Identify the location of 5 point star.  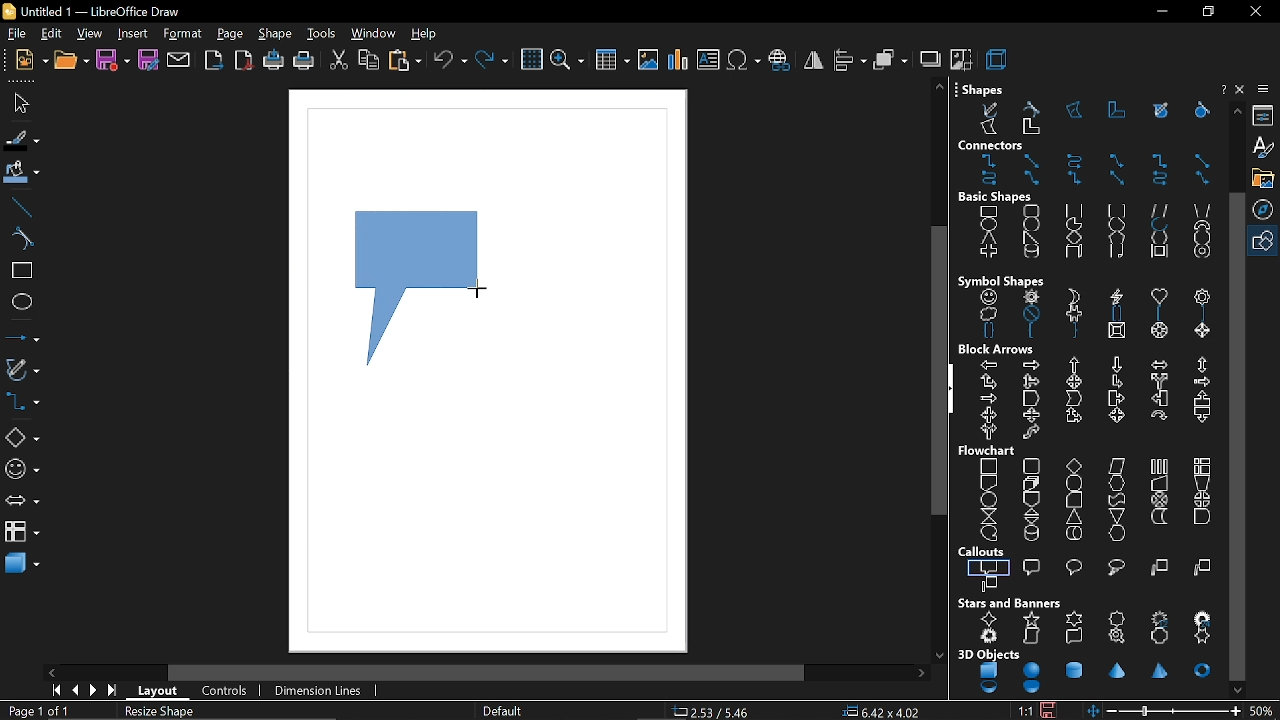
(1030, 619).